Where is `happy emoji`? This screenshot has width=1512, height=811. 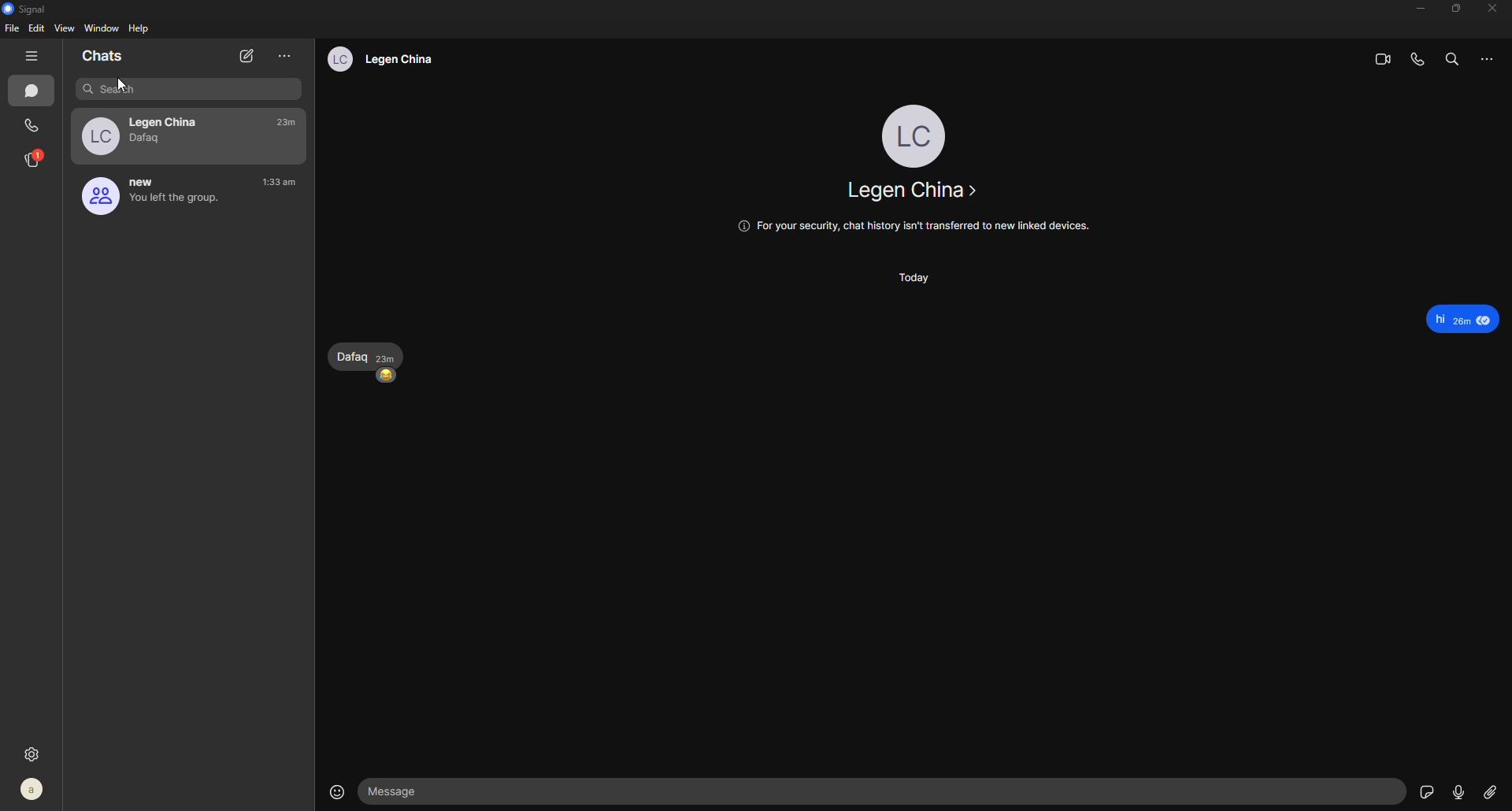
happy emoji is located at coordinates (387, 378).